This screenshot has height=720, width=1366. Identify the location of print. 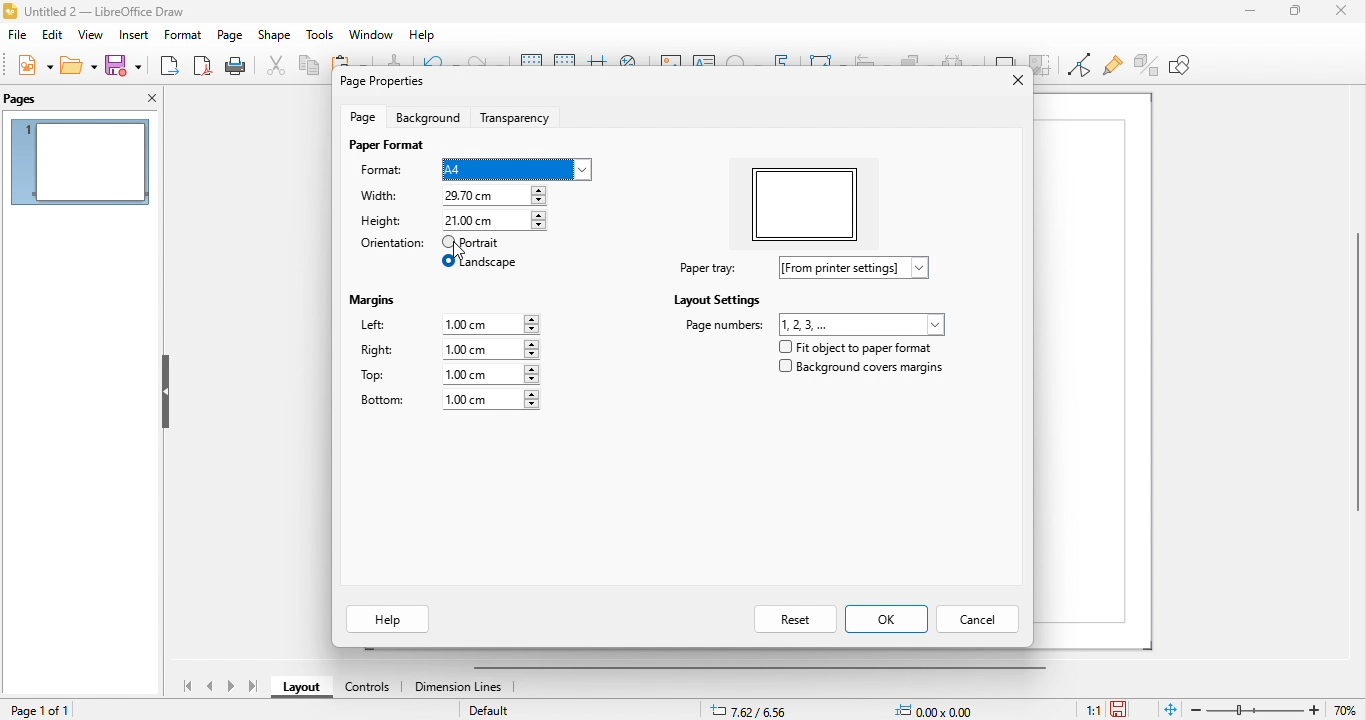
(235, 66).